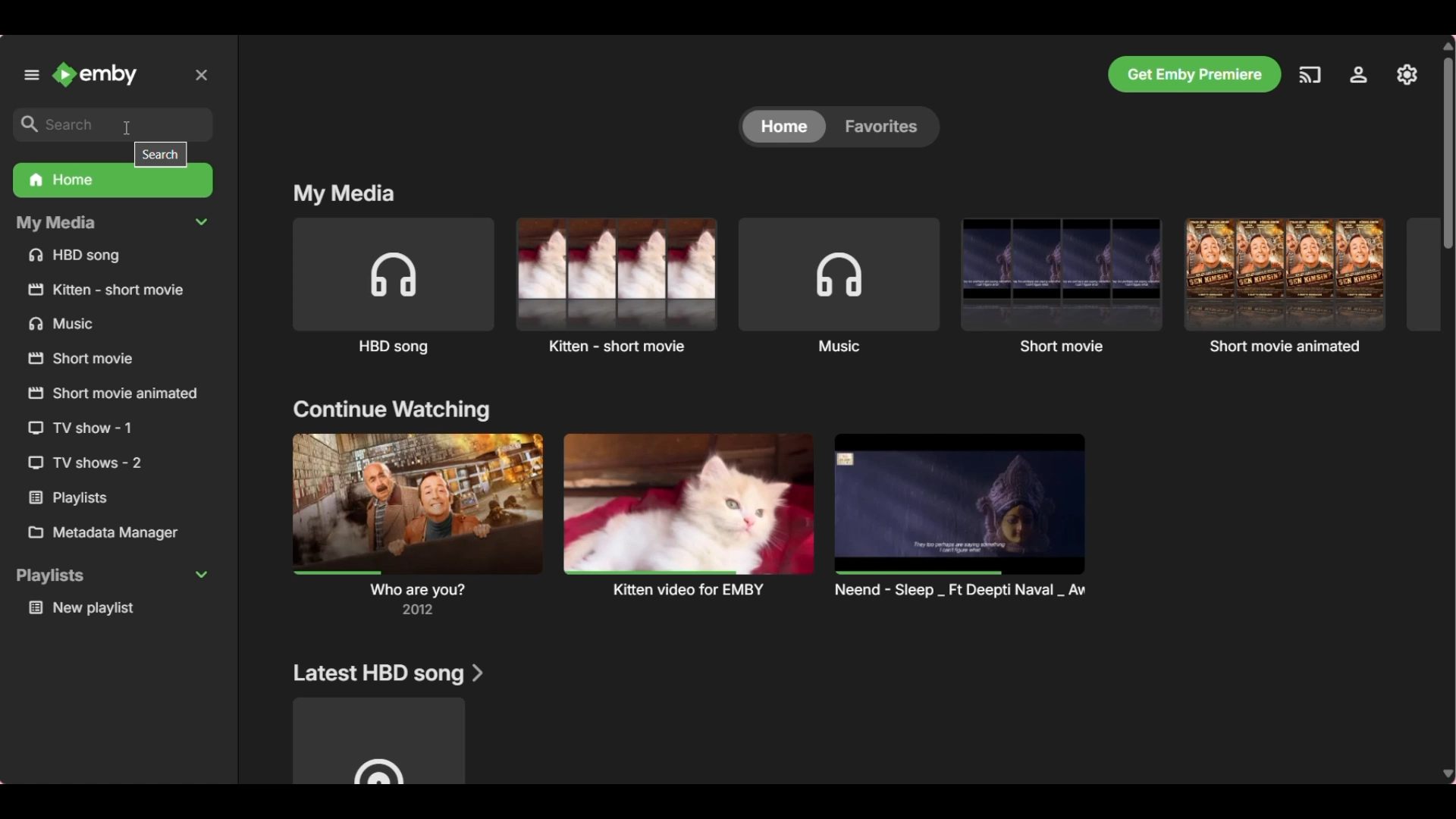 This screenshot has height=819, width=1456. I want to click on Click to go to home, so click(94, 74).